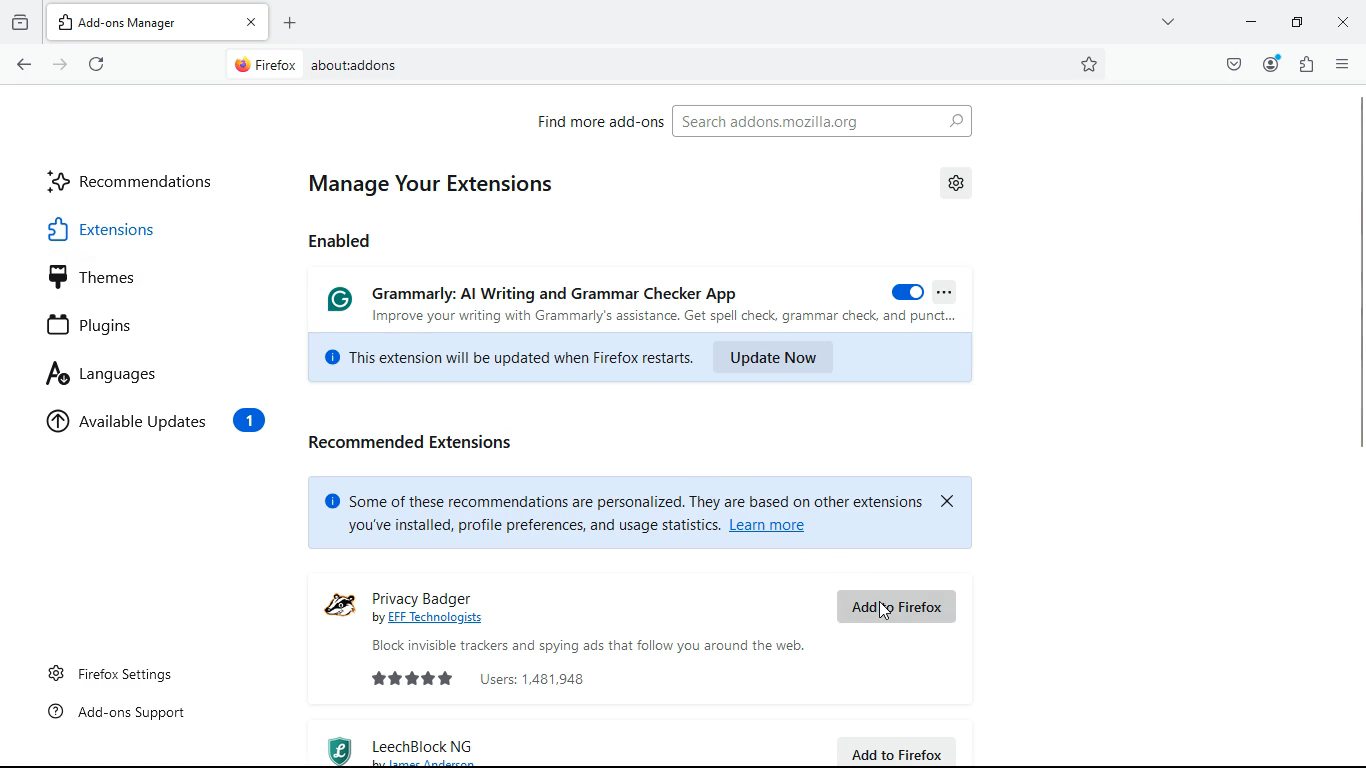 The image size is (1366, 768). Describe the element at coordinates (138, 176) in the screenshot. I see `recommendations` at that location.